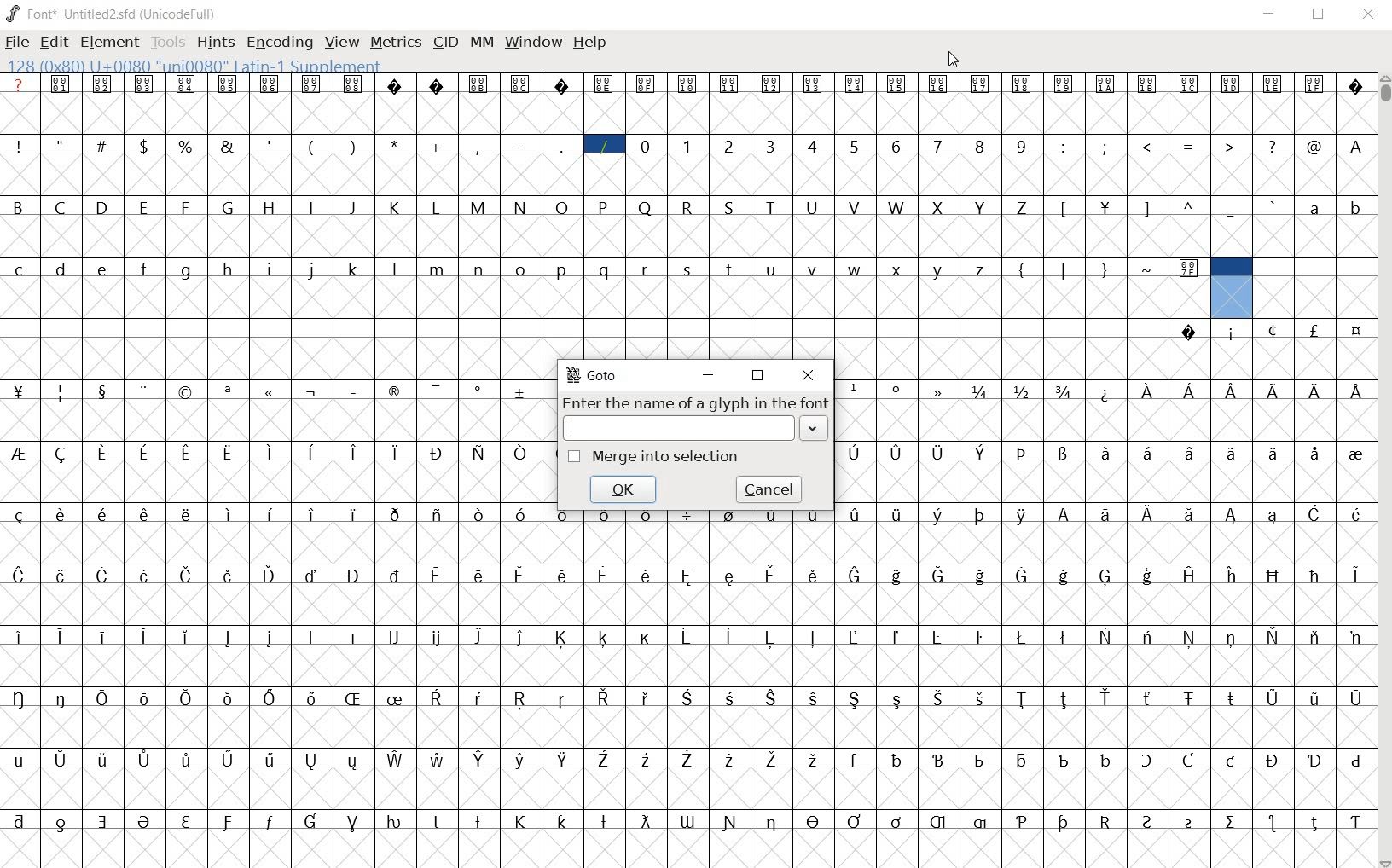 Image resolution: width=1392 pixels, height=868 pixels. What do you see at coordinates (1024, 206) in the screenshot?
I see `Z` at bounding box center [1024, 206].